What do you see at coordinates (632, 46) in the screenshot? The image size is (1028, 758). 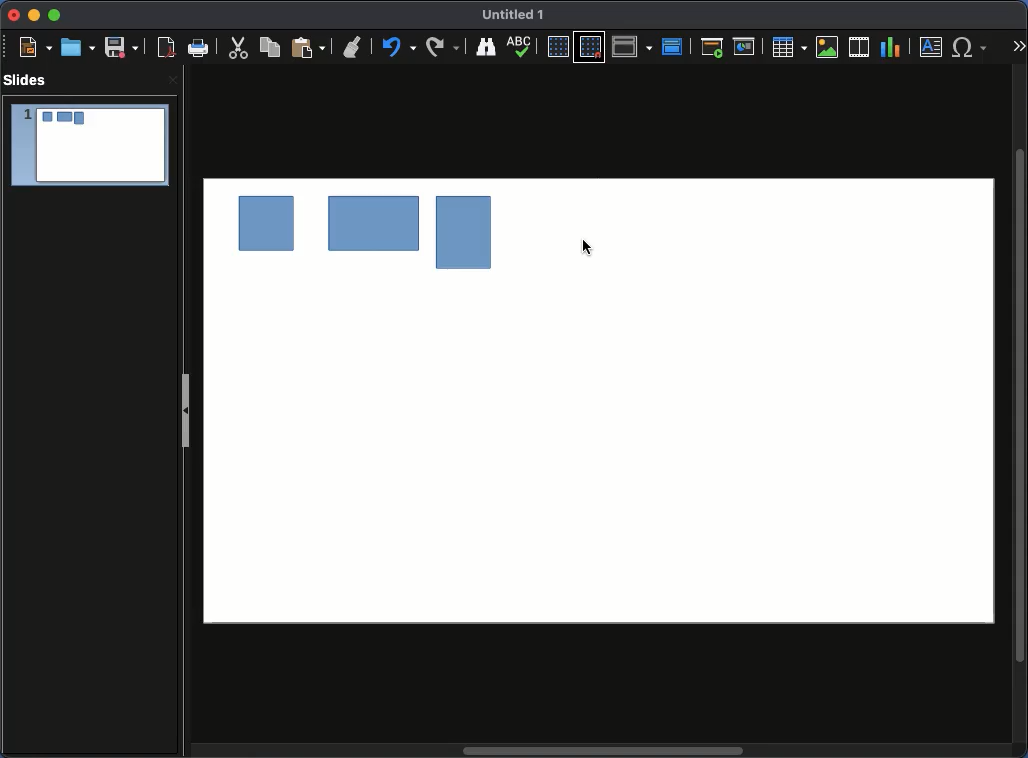 I see `Display views` at bounding box center [632, 46].